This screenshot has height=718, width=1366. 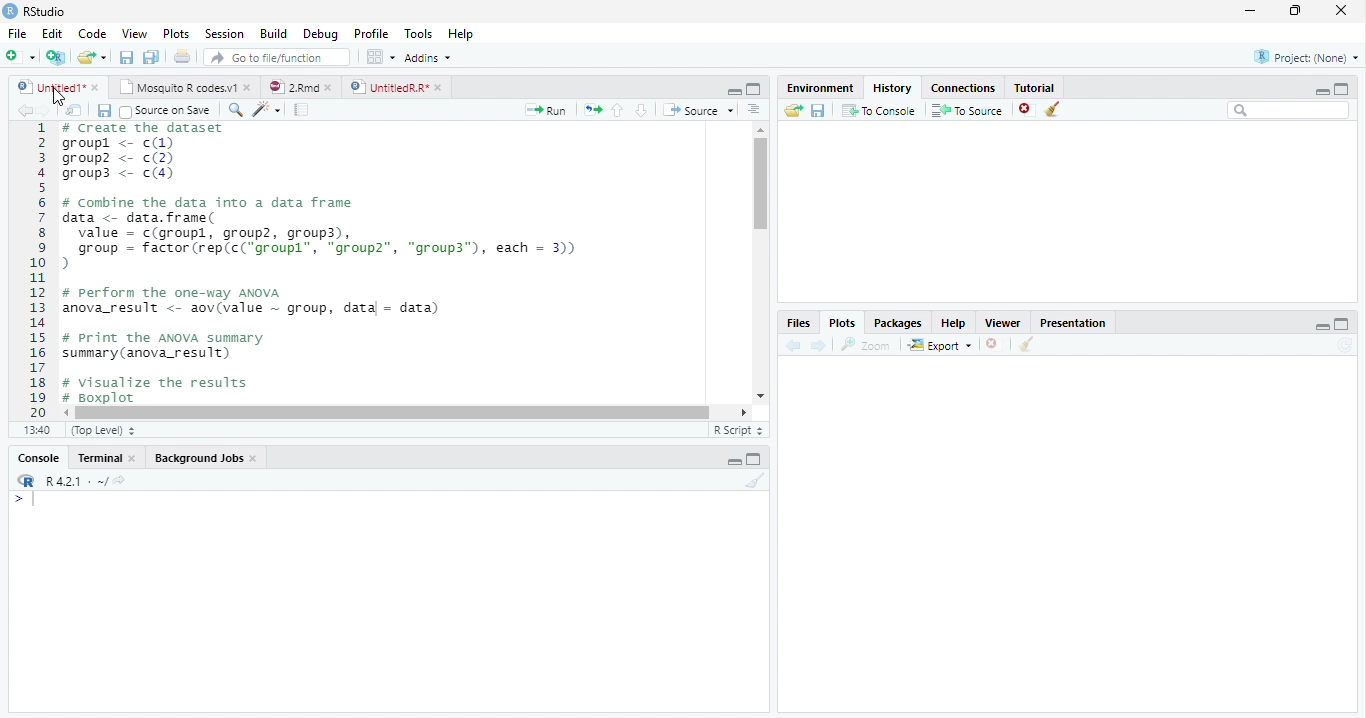 What do you see at coordinates (234, 111) in the screenshot?
I see `Zoom In` at bounding box center [234, 111].